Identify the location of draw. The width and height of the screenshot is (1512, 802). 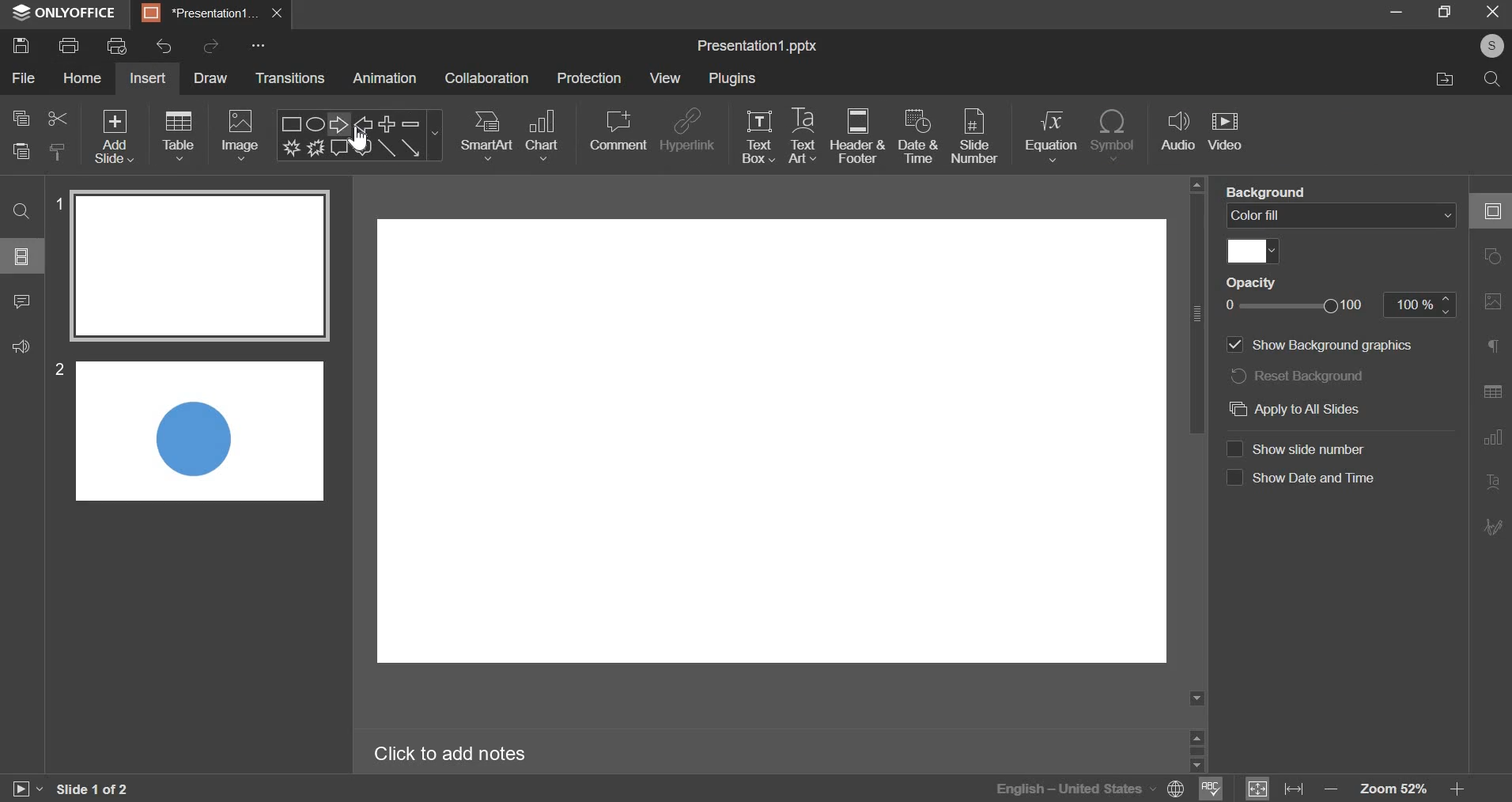
(210, 78).